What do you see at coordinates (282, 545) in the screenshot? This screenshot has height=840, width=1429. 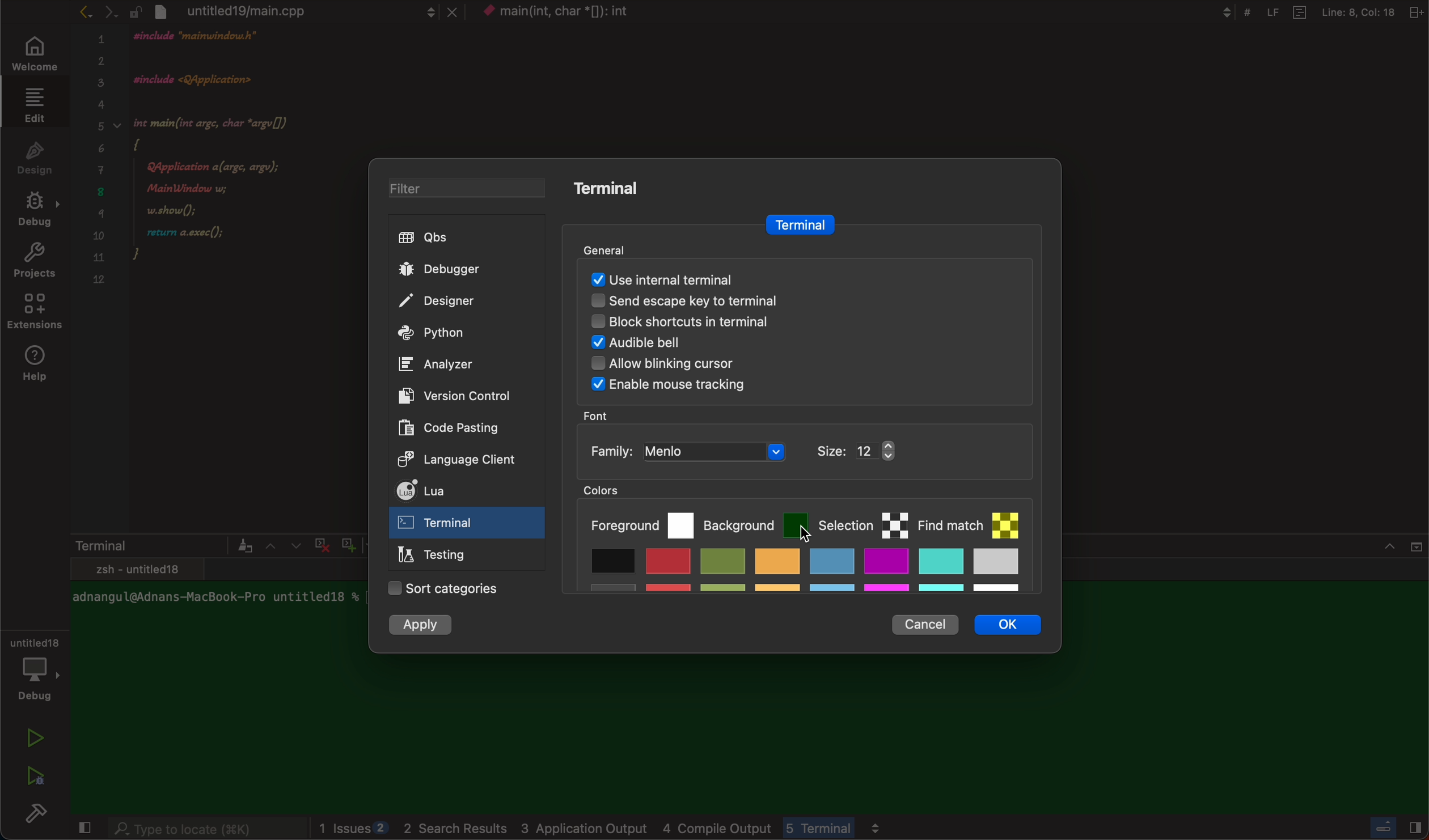 I see `arrows` at bounding box center [282, 545].